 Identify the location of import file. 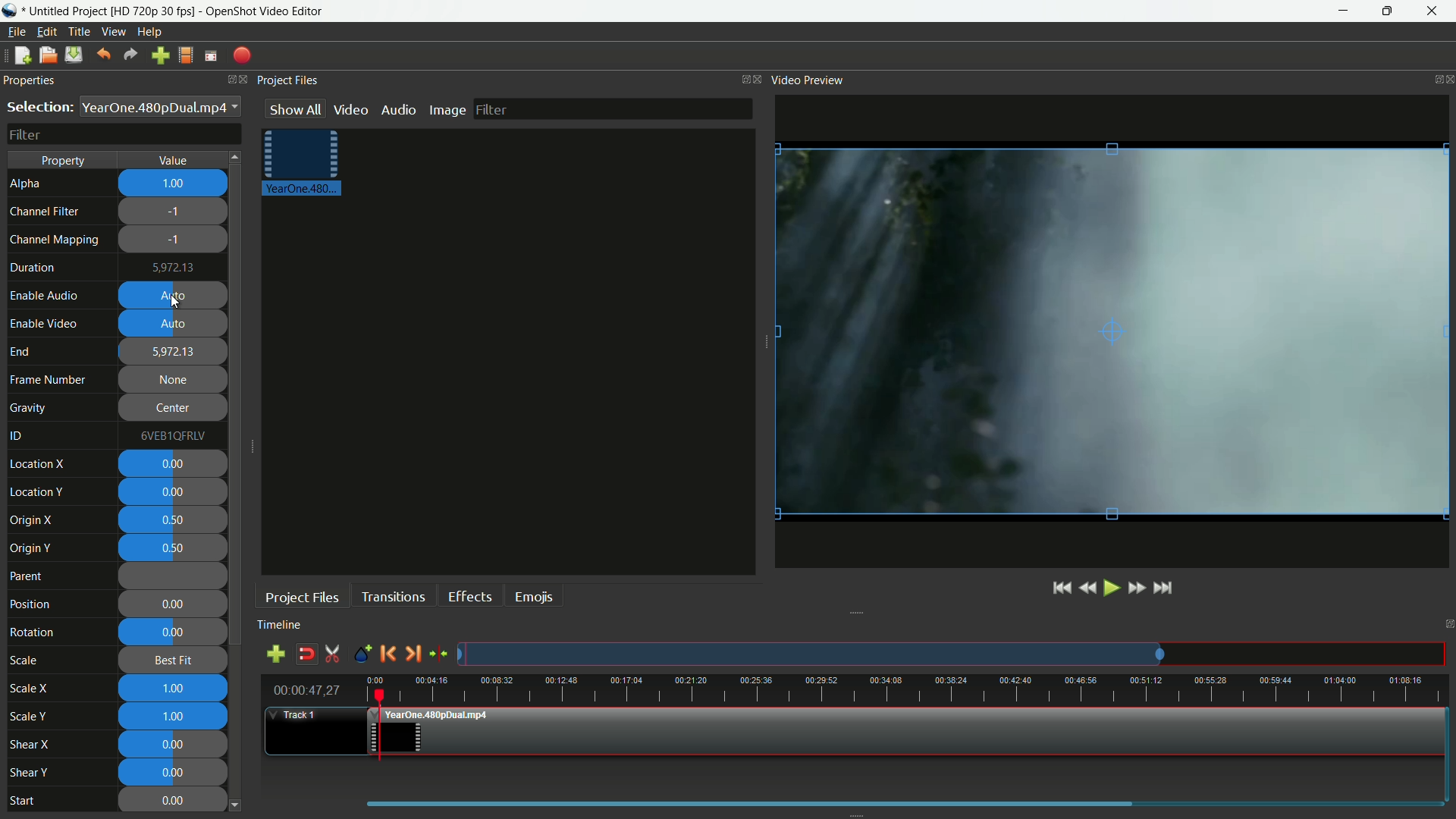
(160, 56).